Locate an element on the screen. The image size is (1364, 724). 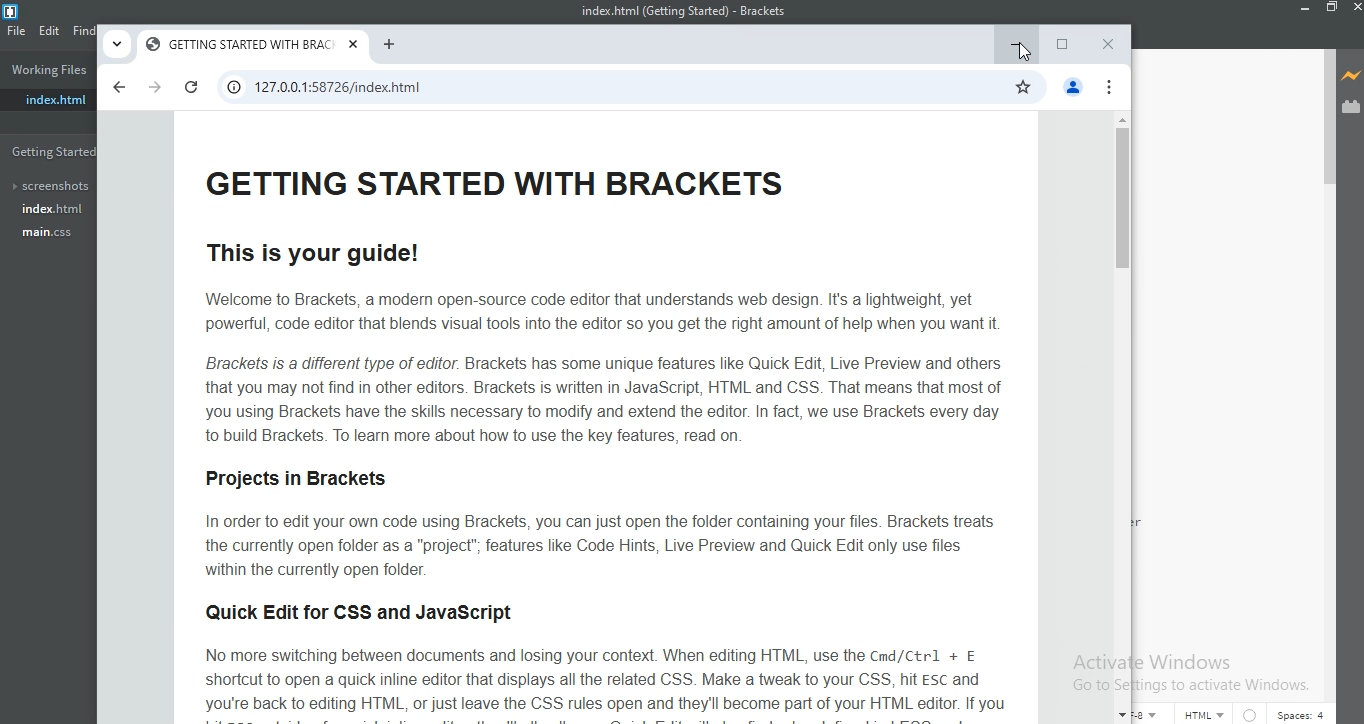
Index.html is located at coordinates (51, 210).